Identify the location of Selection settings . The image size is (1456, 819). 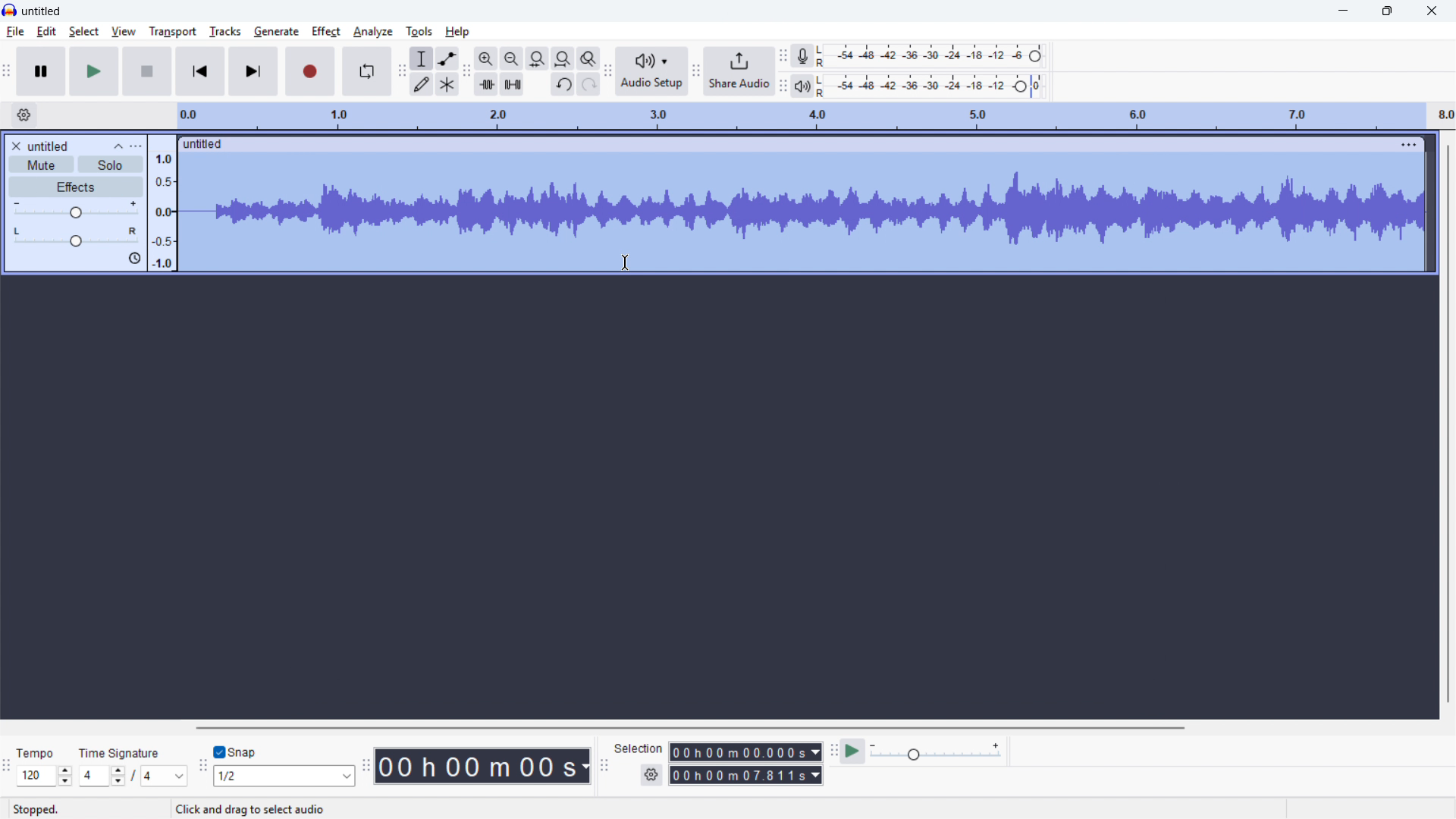
(651, 776).